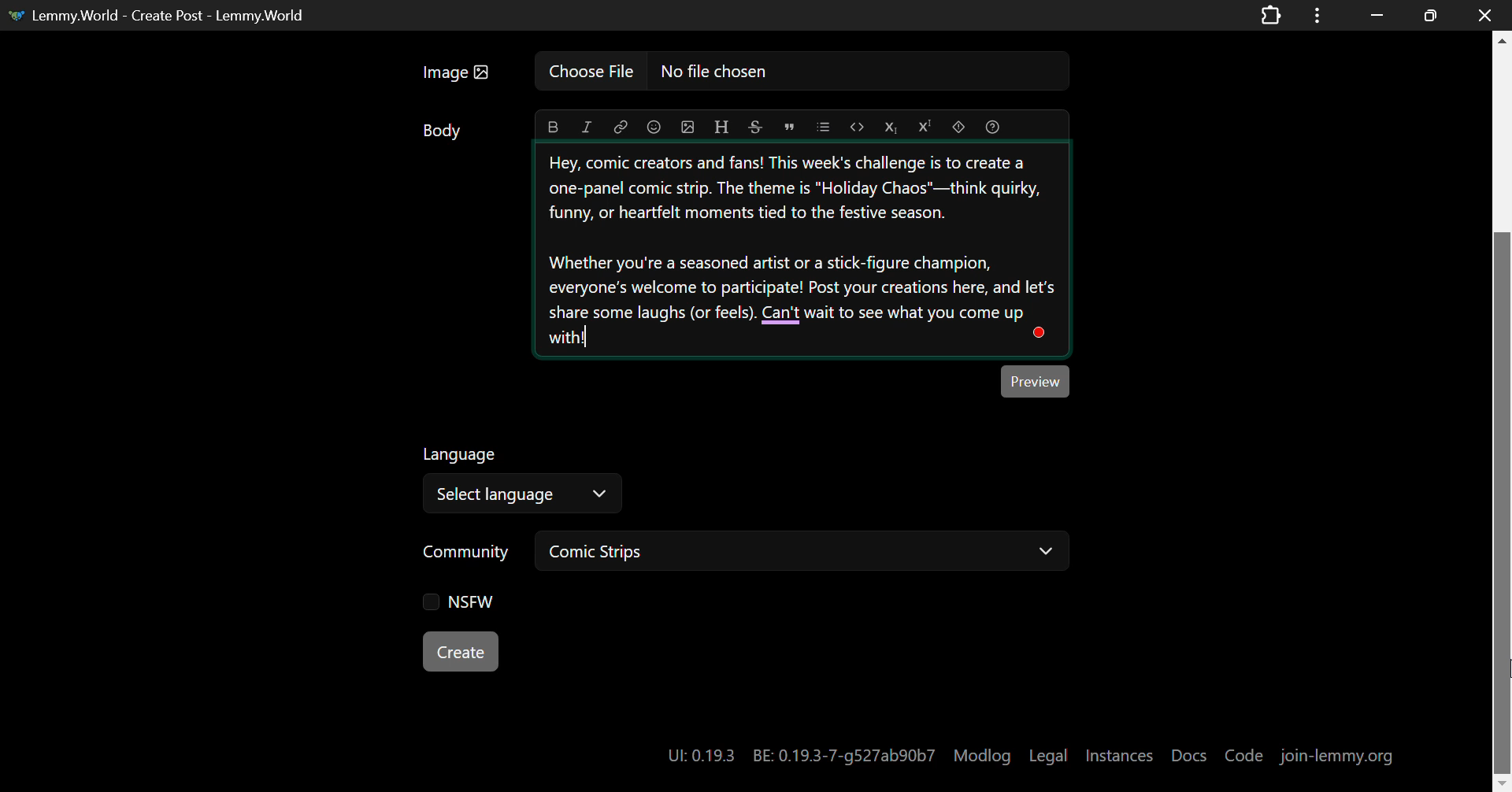 The height and width of the screenshot is (792, 1512). Describe the element at coordinates (740, 76) in the screenshot. I see `Image: No file chosen` at that location.